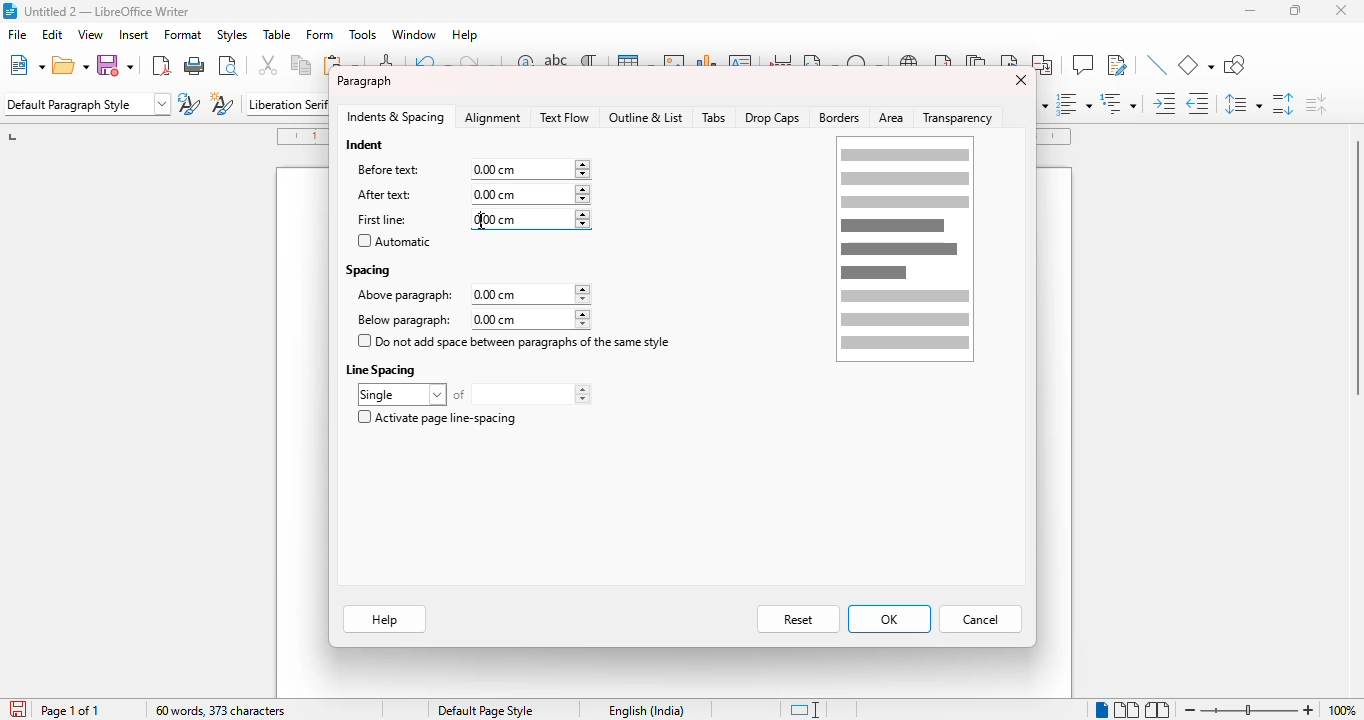 The width and height of the screenshot is (1364, 720). I want to click on set line spacing, so click(1243, 104).